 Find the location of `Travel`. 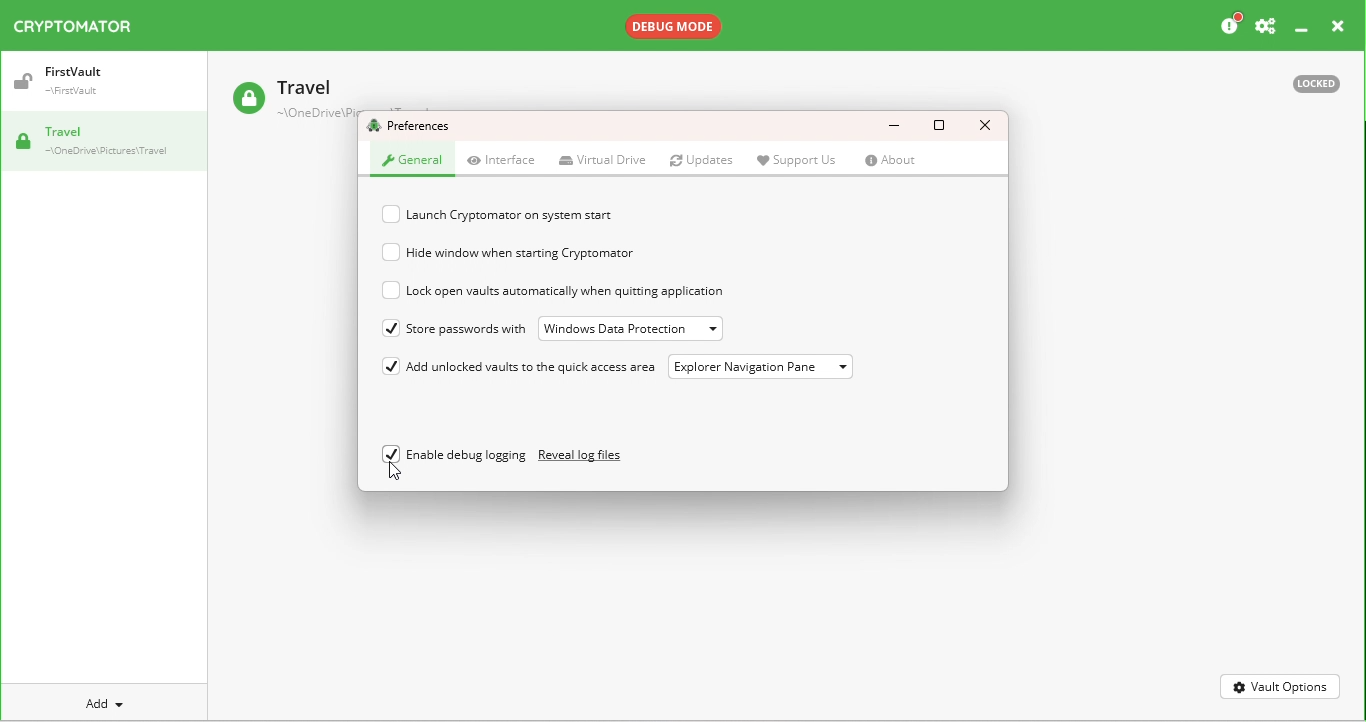

Travel is located at coordinates (290, 107).